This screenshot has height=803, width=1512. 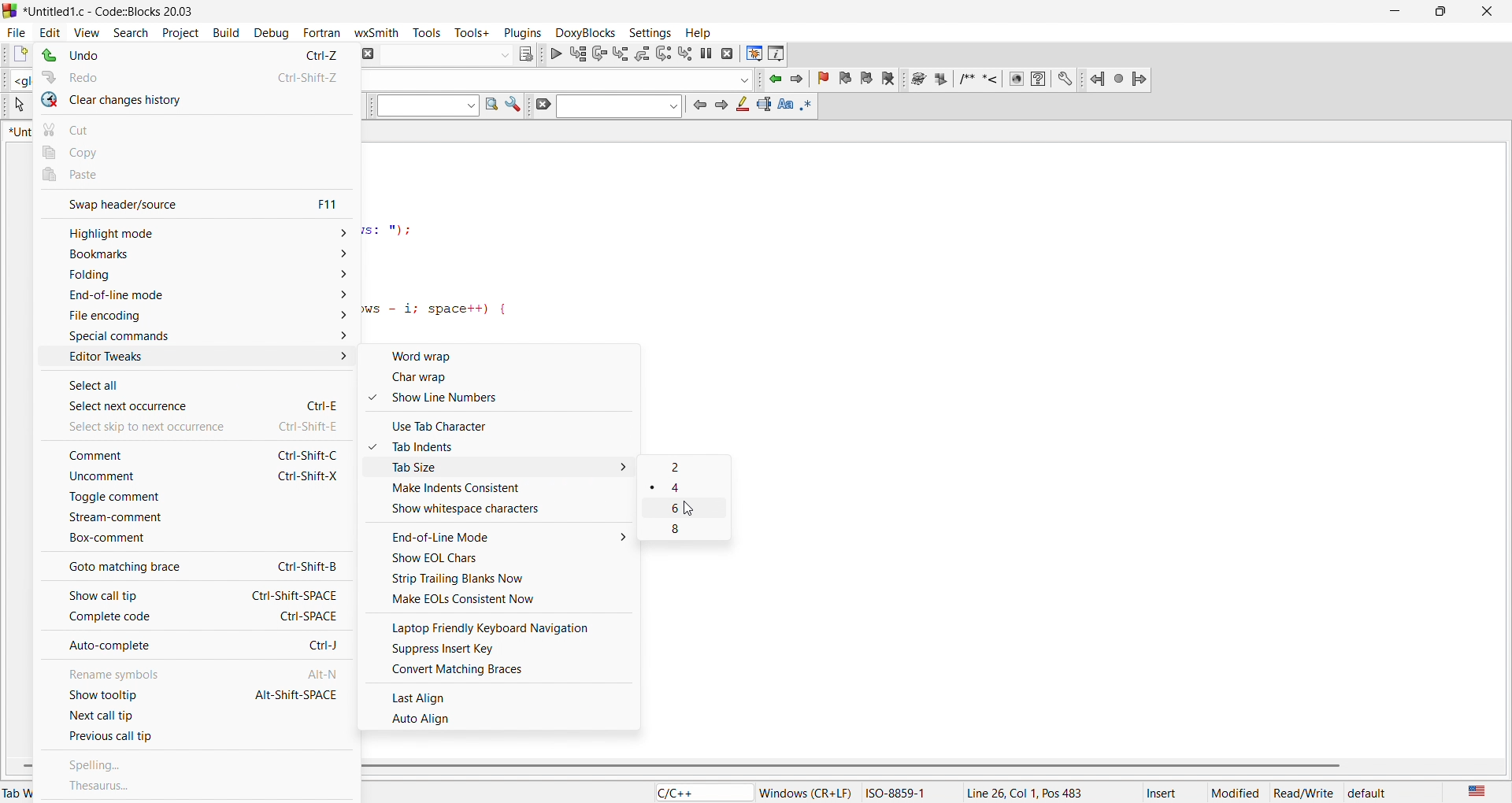 What do you see at coordinates (198, 760) in the screenshot?
I see `spelling` at bounding box center [198, 760].